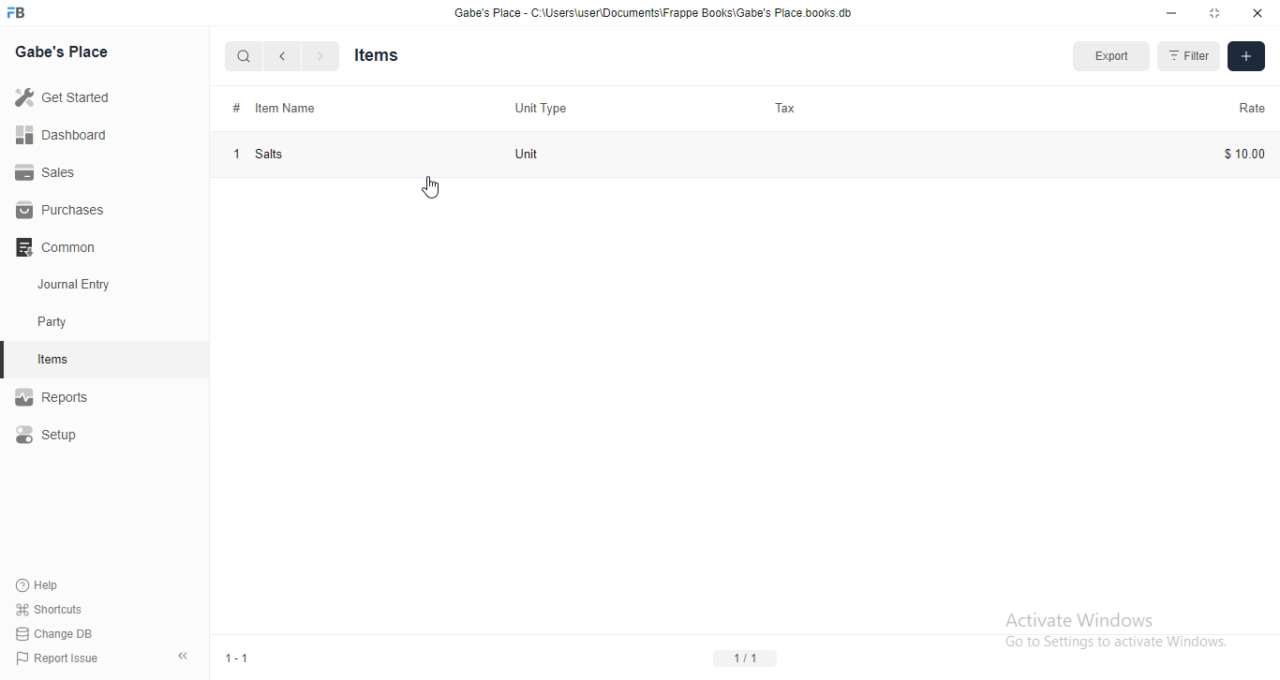 The height and width of the screenshot is (680, 1280). What do you see at coordinates (67, 96) in the screenshot?
I see `Get Started` at bounding box center [67, 96].